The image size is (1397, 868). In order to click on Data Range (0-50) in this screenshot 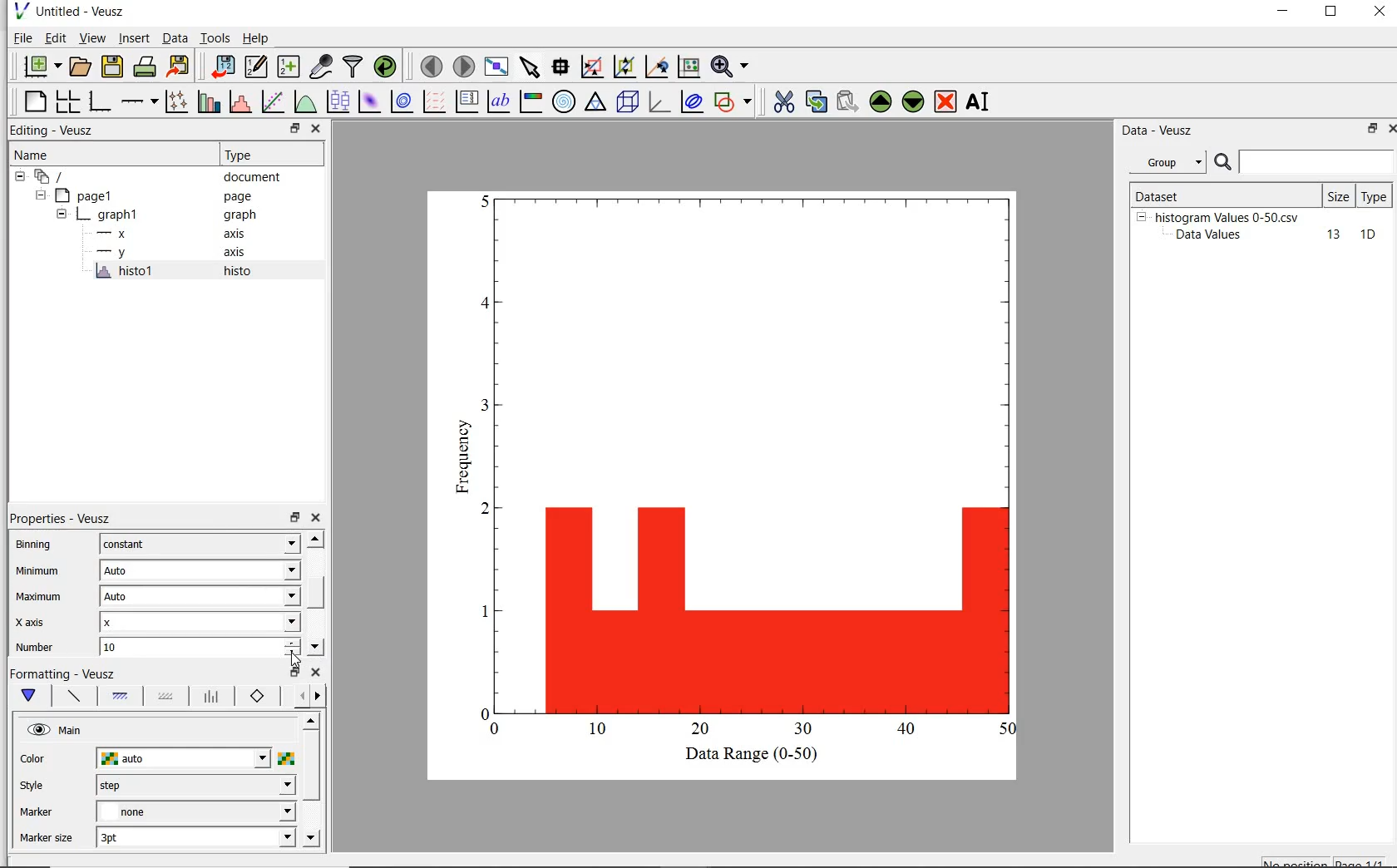, I will do `click(754, 755)`.